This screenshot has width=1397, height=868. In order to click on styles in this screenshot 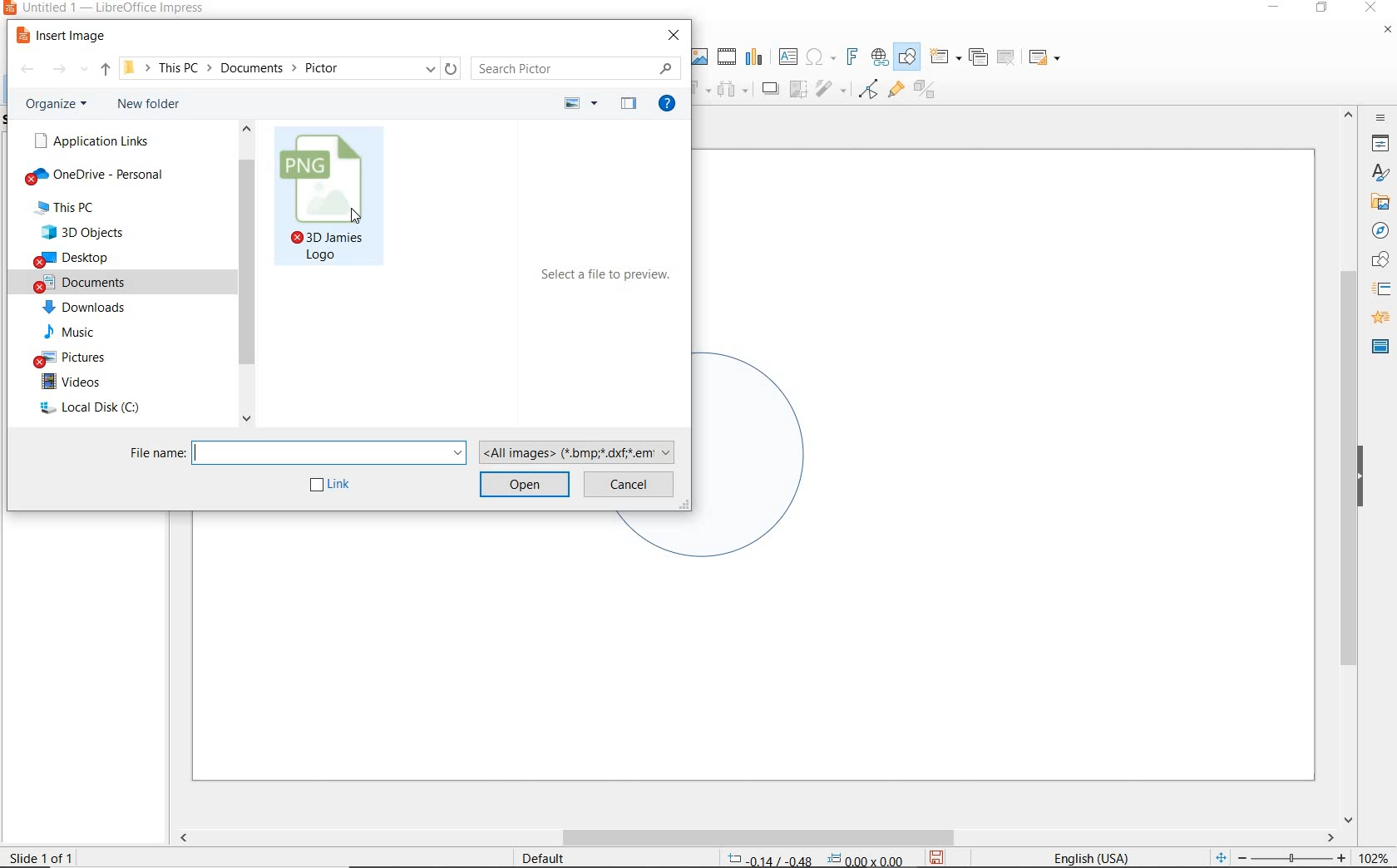, I will do `click(1380, 174)`.